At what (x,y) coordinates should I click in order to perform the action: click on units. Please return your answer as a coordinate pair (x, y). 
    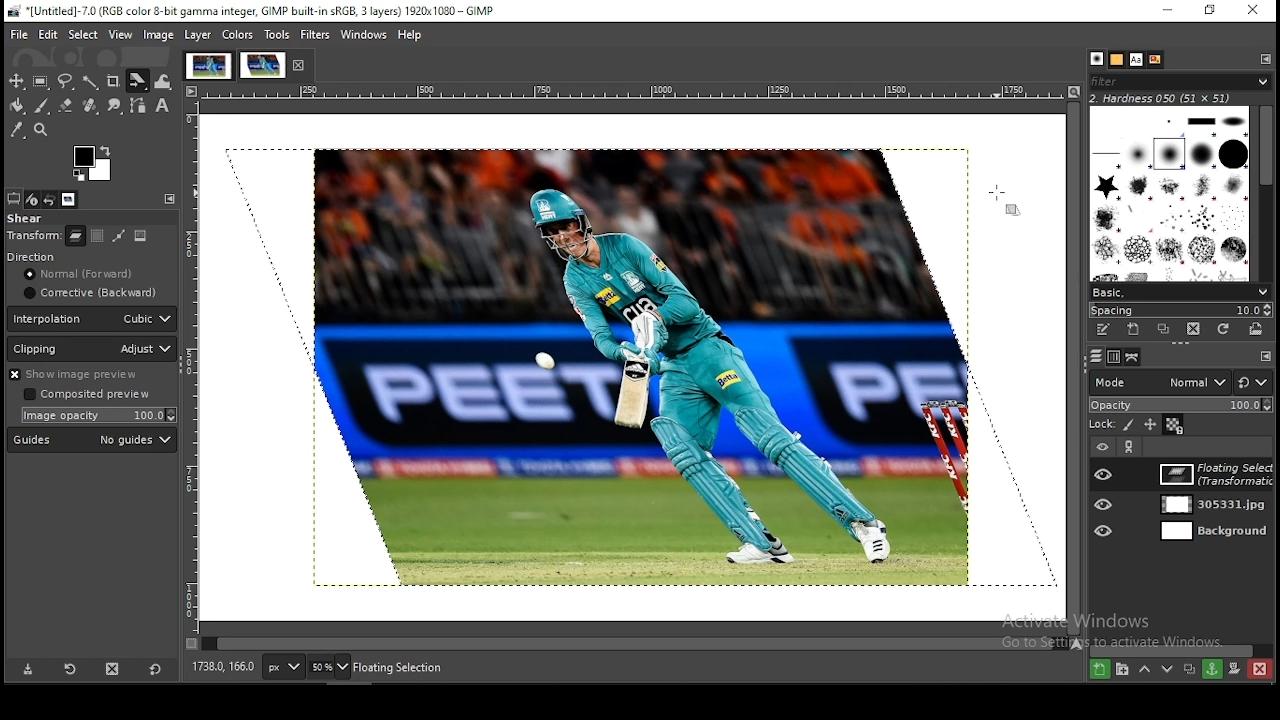
    Looking at the image, I should click on (284, 667).